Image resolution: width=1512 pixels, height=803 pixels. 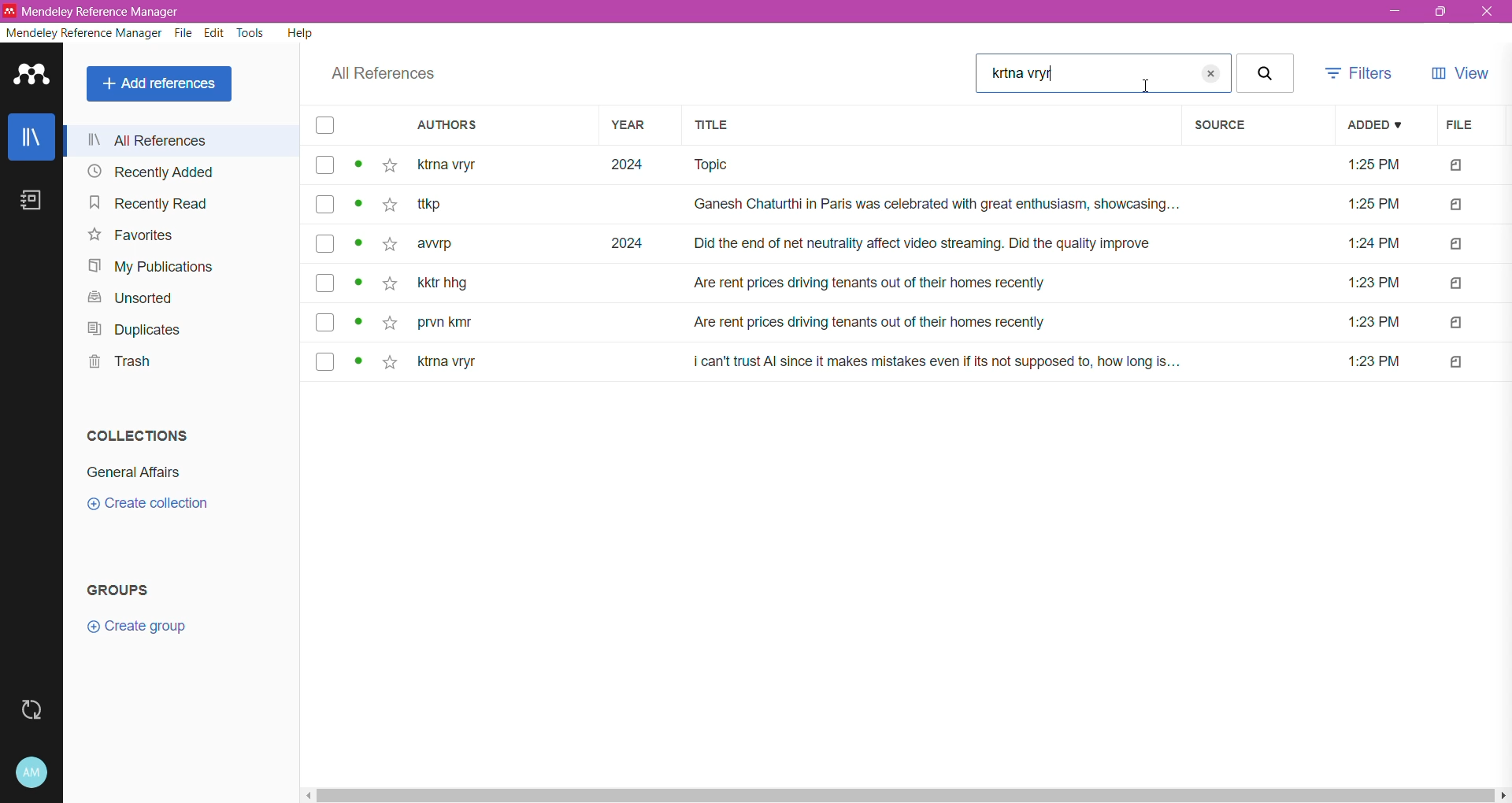 I want to click on select file, so click(x=324, y=284).